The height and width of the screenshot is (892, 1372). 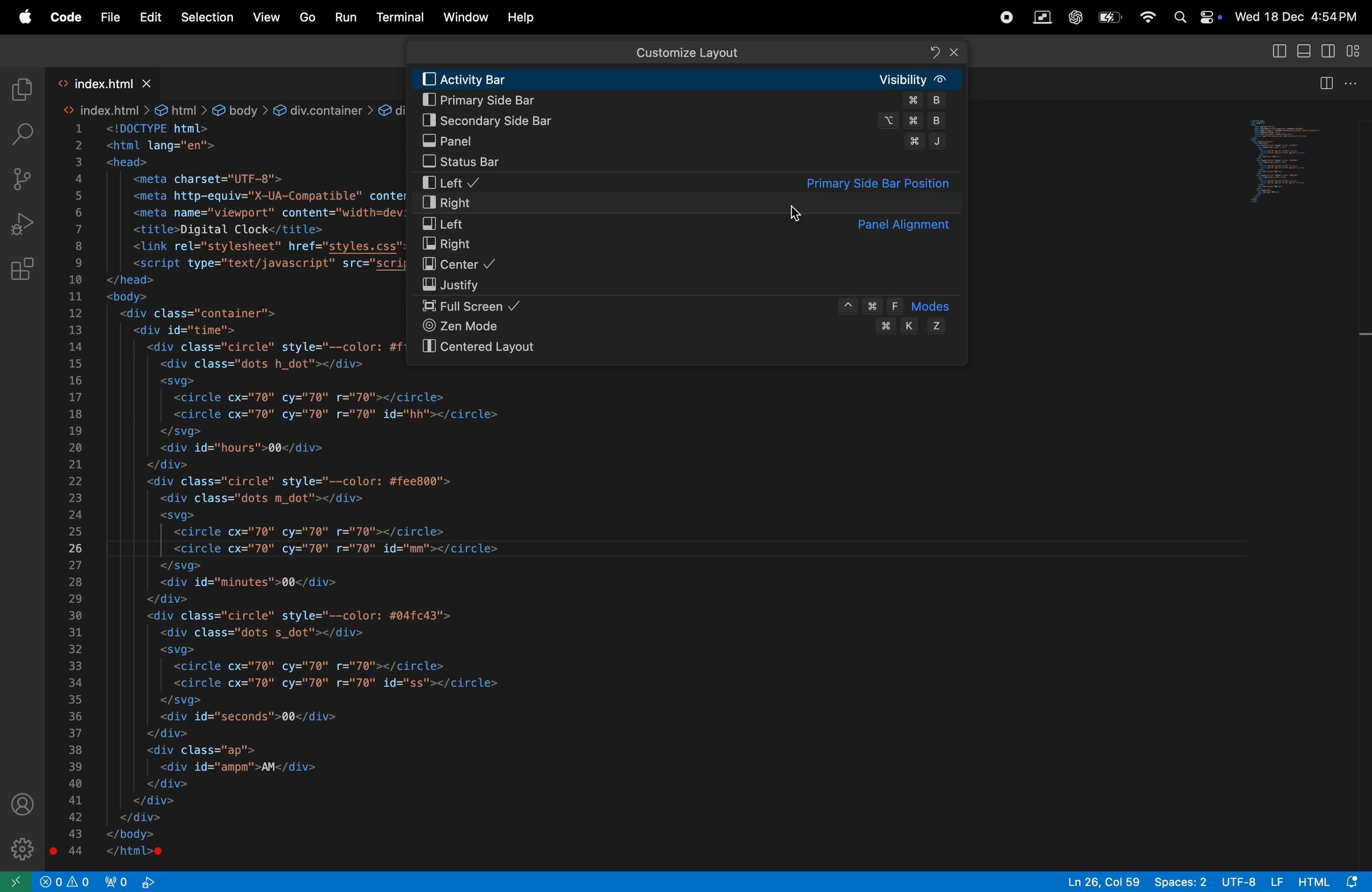 What do you see at coordinates (370, 617) in the screenshot?
I see `<svg><circle cx="70" cy="70" r="70"></circle><circle cx="70" cy="70" r="70" id="hh"></circle></svg><div id="hours">00</div></div><div class="circle" style="--color: #fee800"><div class="dots m_dot"></div><svg><circle cx="70" cy="70" r="70"></circle><circle cx="70" cy="70" r="70" id="mm"></circle></svg><div id="minutes">00</div></div><div class="circle" style="--color: #04fc43"><div class="dots s_dot"></div><svg><circle cx="70" cy="70" r="70"></circle><circle cx="70" cy="70" r="70" id="ss"></circle></svg><div id="seconds">00</div></div><div class="ap"><div id="ampm">AM</div></div></div></div></body></html>` at bounding box center [370, 617].